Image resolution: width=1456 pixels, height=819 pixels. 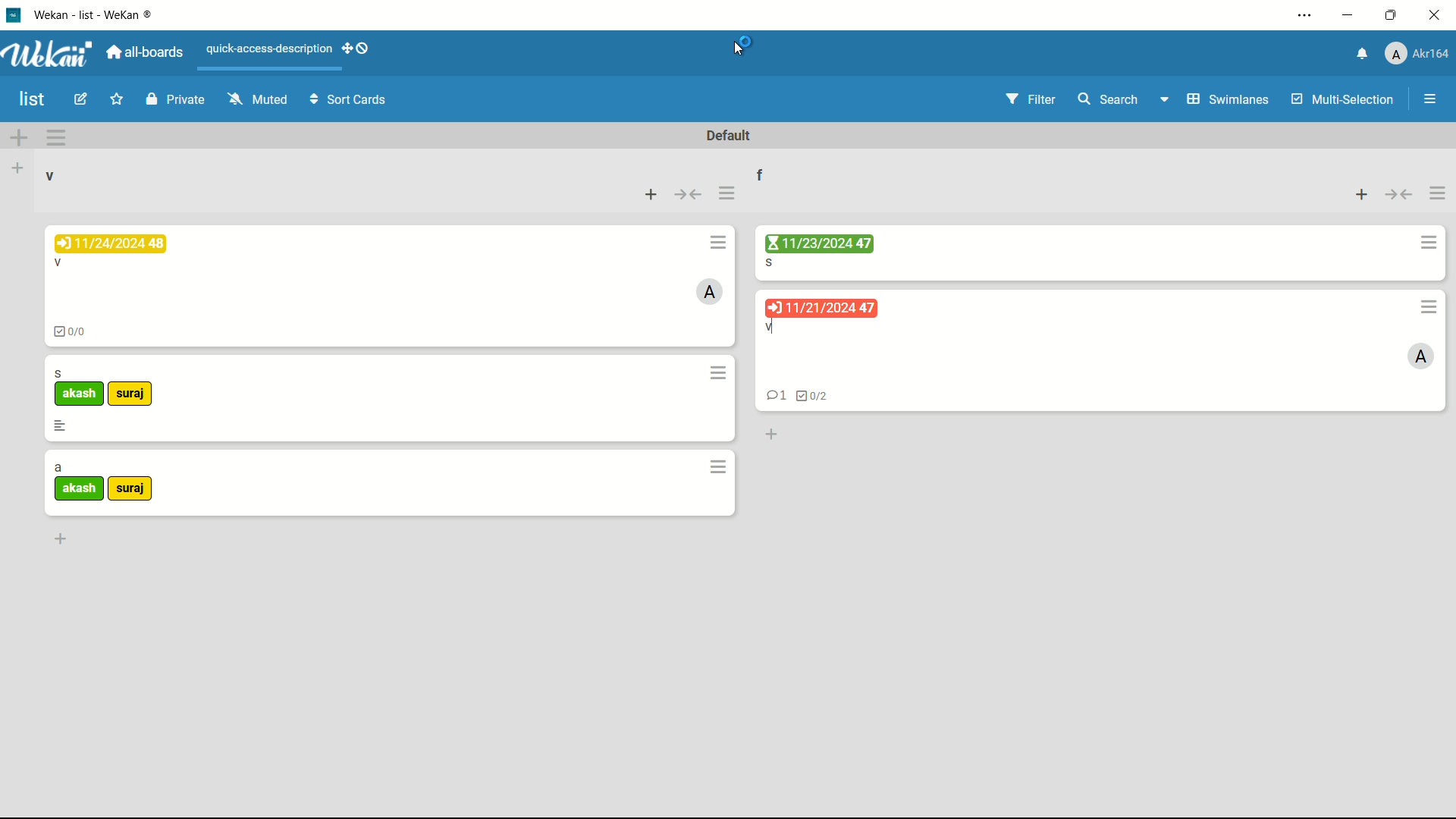 What do you see at coordinates (817, 243) in the screenshot?
I see `start date is det` at bounding box center [817, 243].